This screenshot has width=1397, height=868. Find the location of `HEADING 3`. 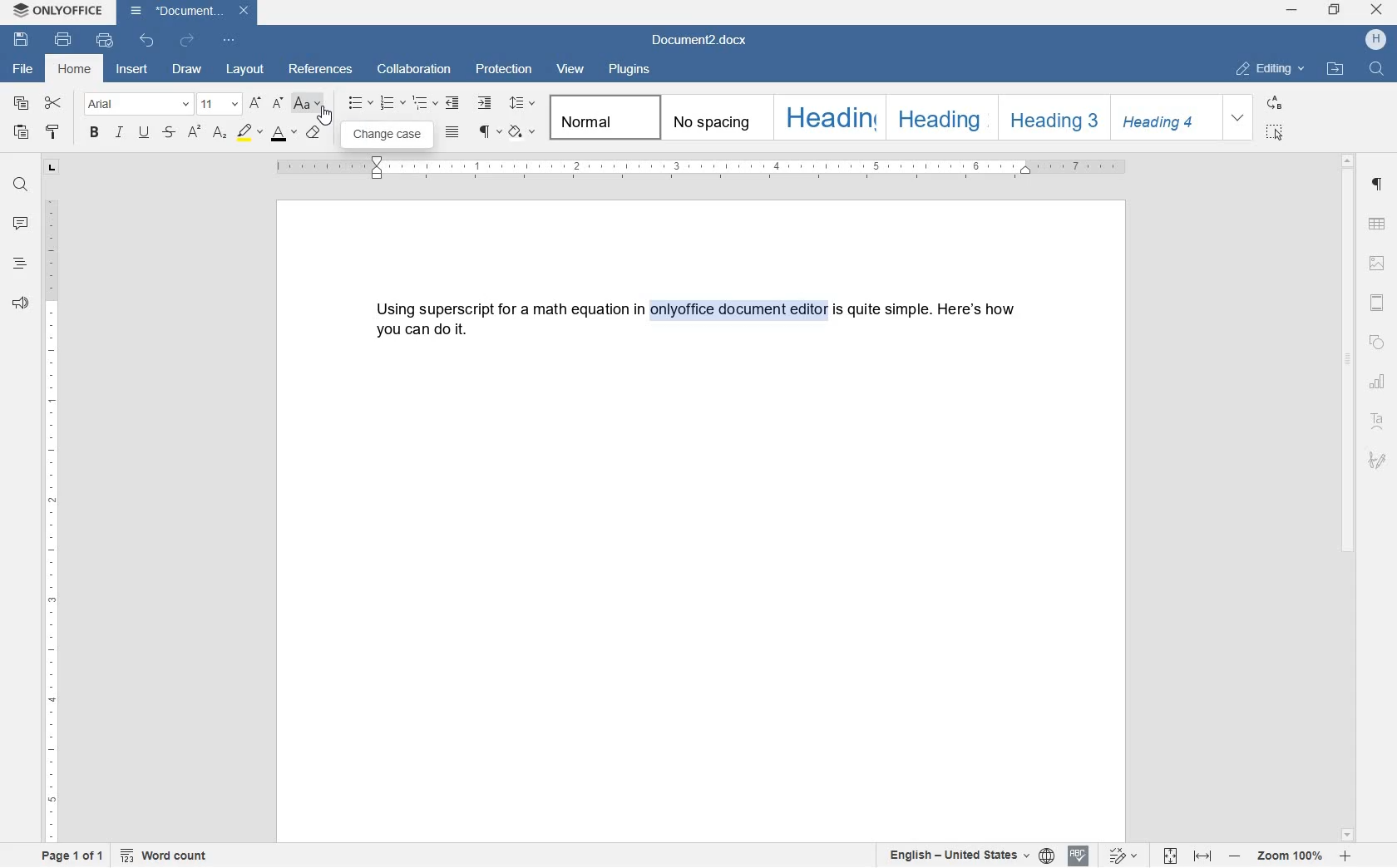

HEADING 3 is located at coordinates (1052, 116).